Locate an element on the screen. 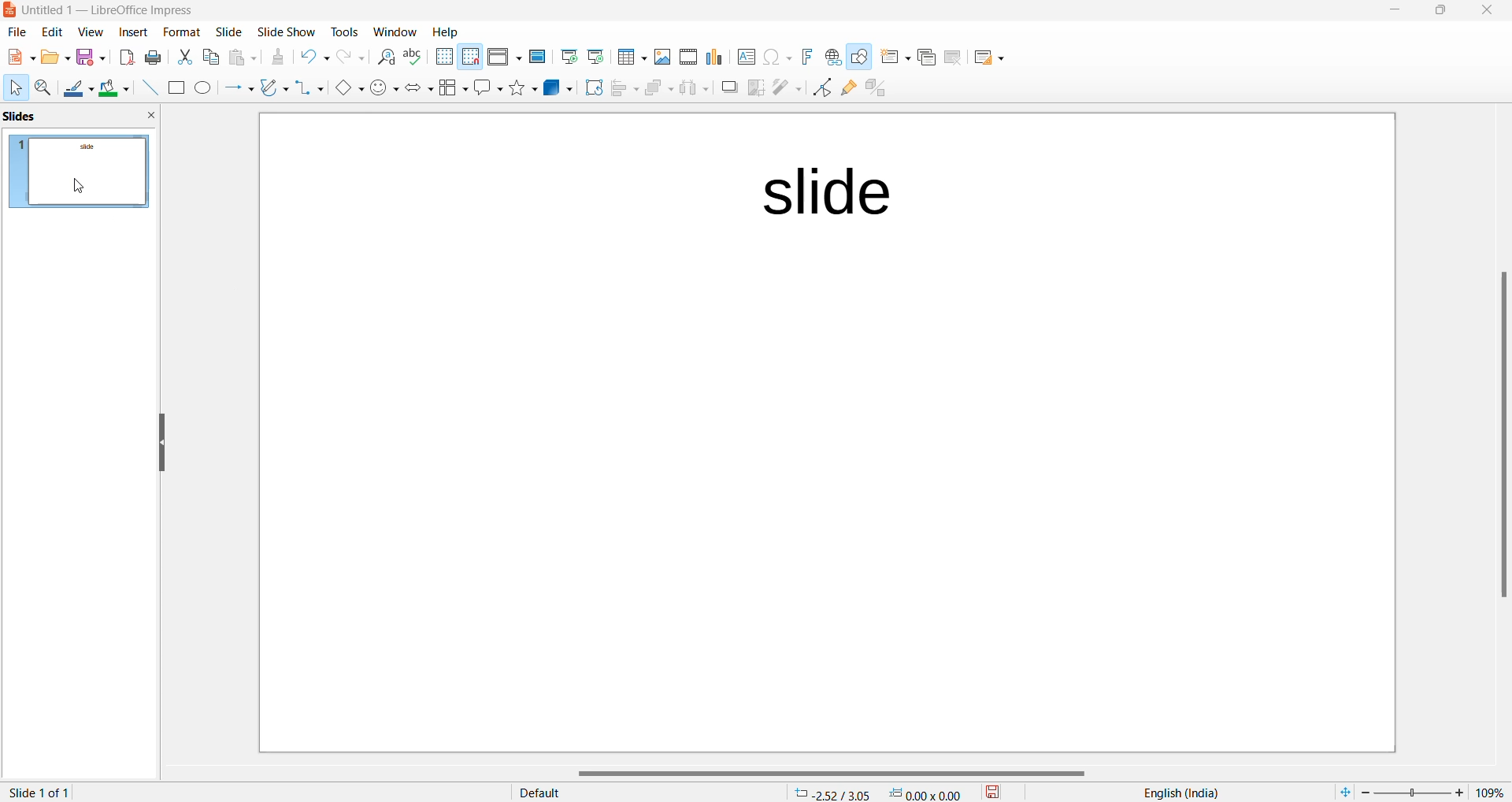 The width and height of the screenshot is (1512, 802). delete slide is located at coordinates (953, 61).